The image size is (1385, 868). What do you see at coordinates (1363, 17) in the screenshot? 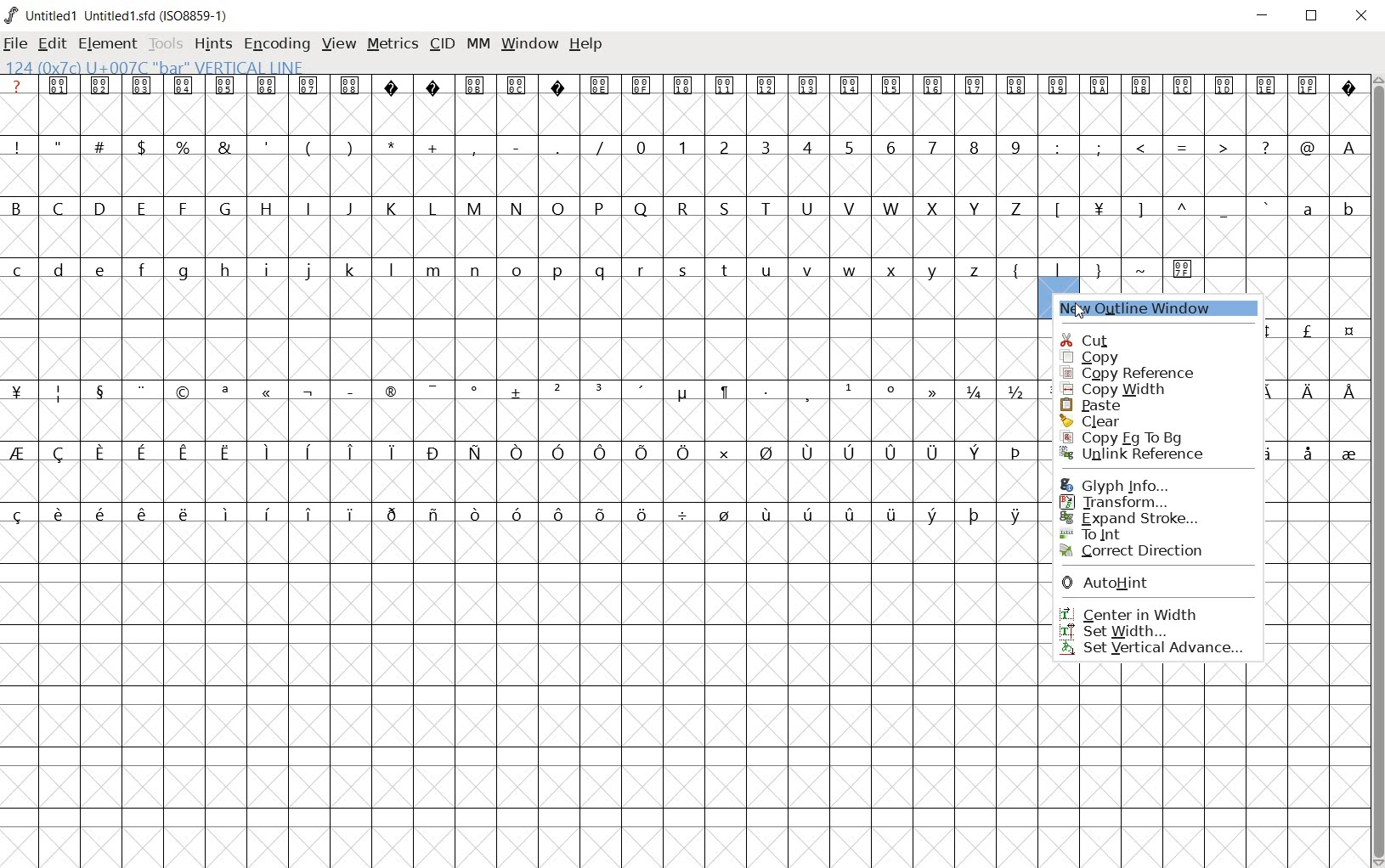
I see `close` at bounding box center [1363, 17].